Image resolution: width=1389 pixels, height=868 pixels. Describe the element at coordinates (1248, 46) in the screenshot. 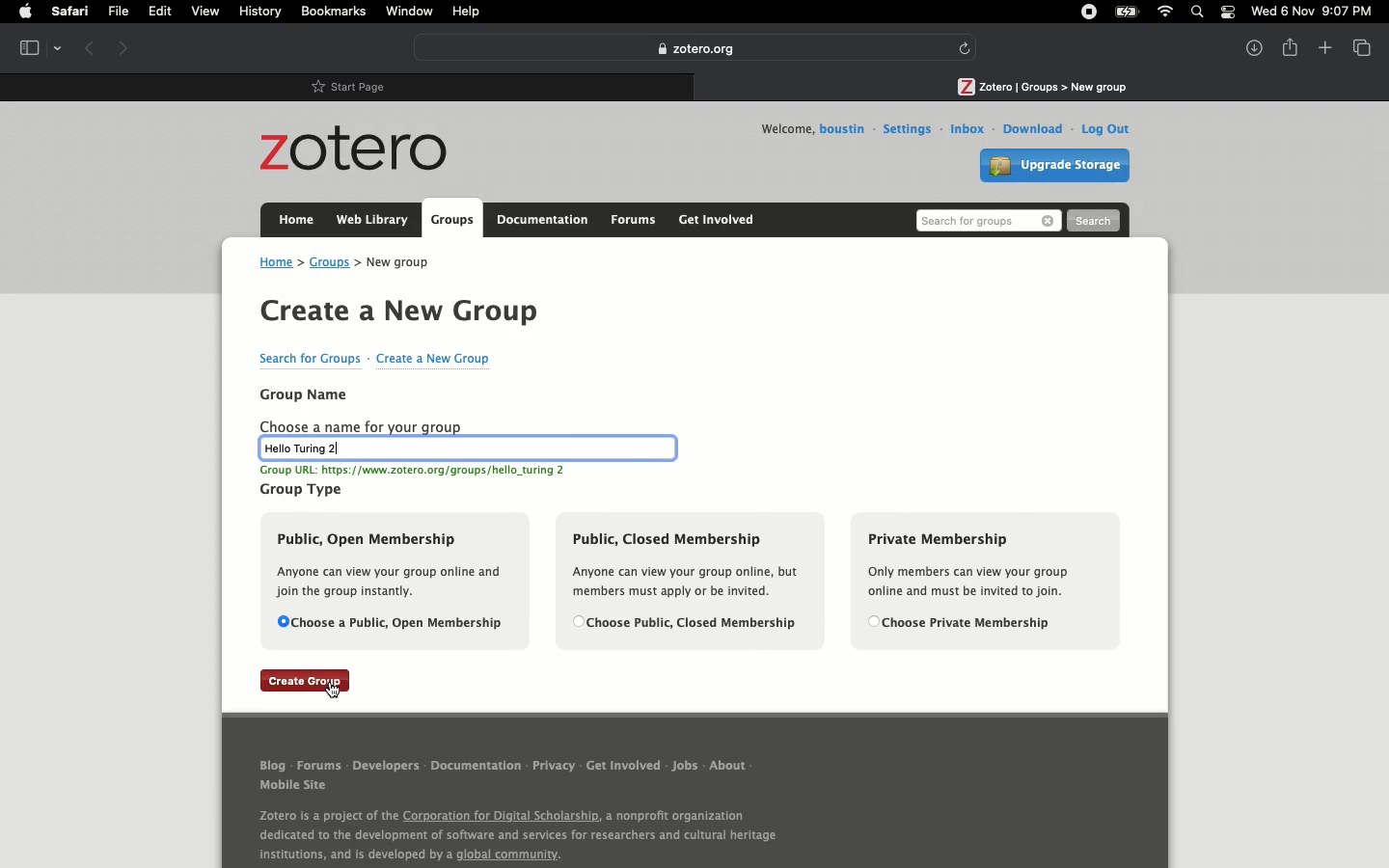

I see `Downlaods` at that location.